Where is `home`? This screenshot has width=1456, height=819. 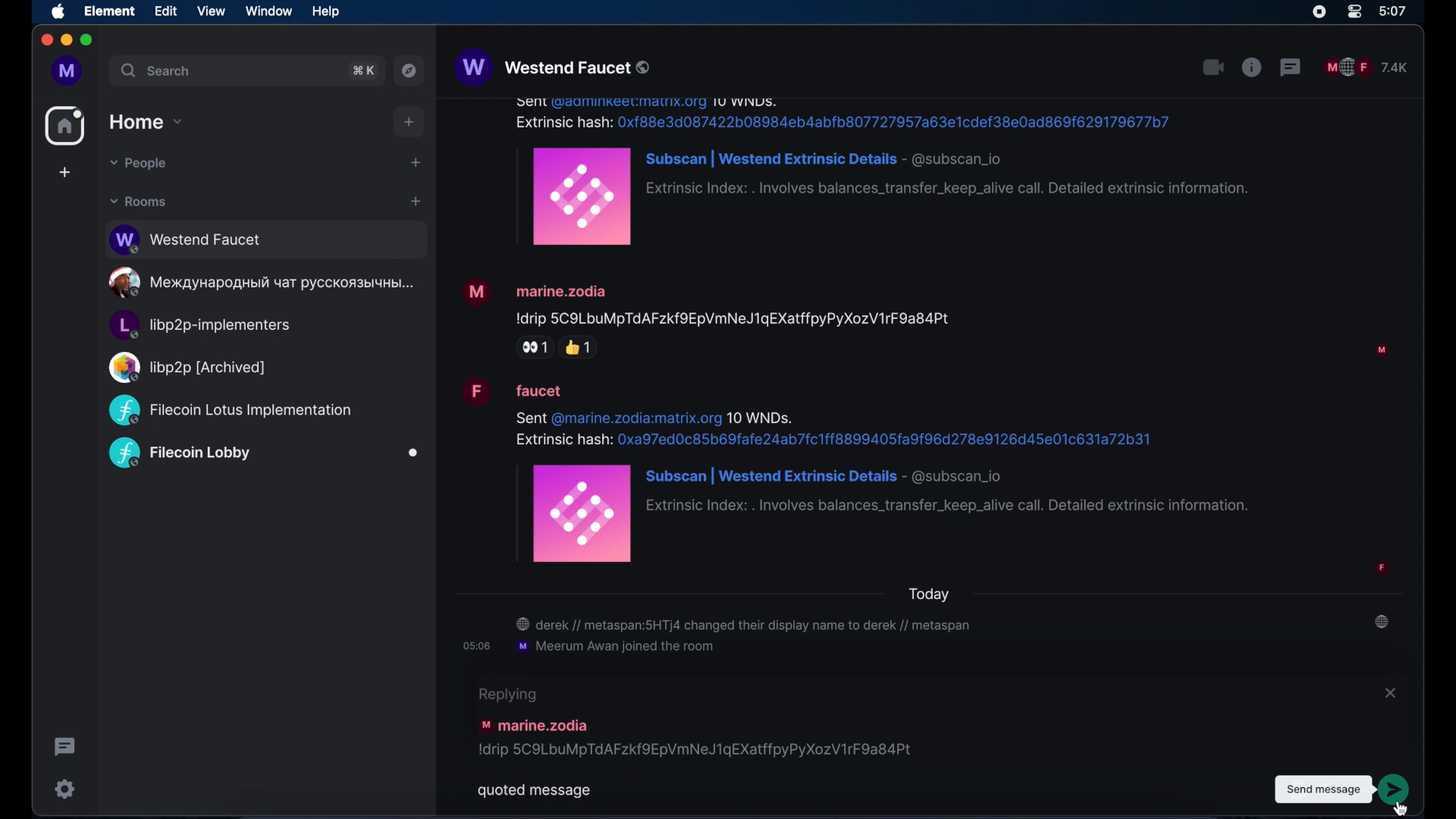
home is located at coordinates (64, 126).